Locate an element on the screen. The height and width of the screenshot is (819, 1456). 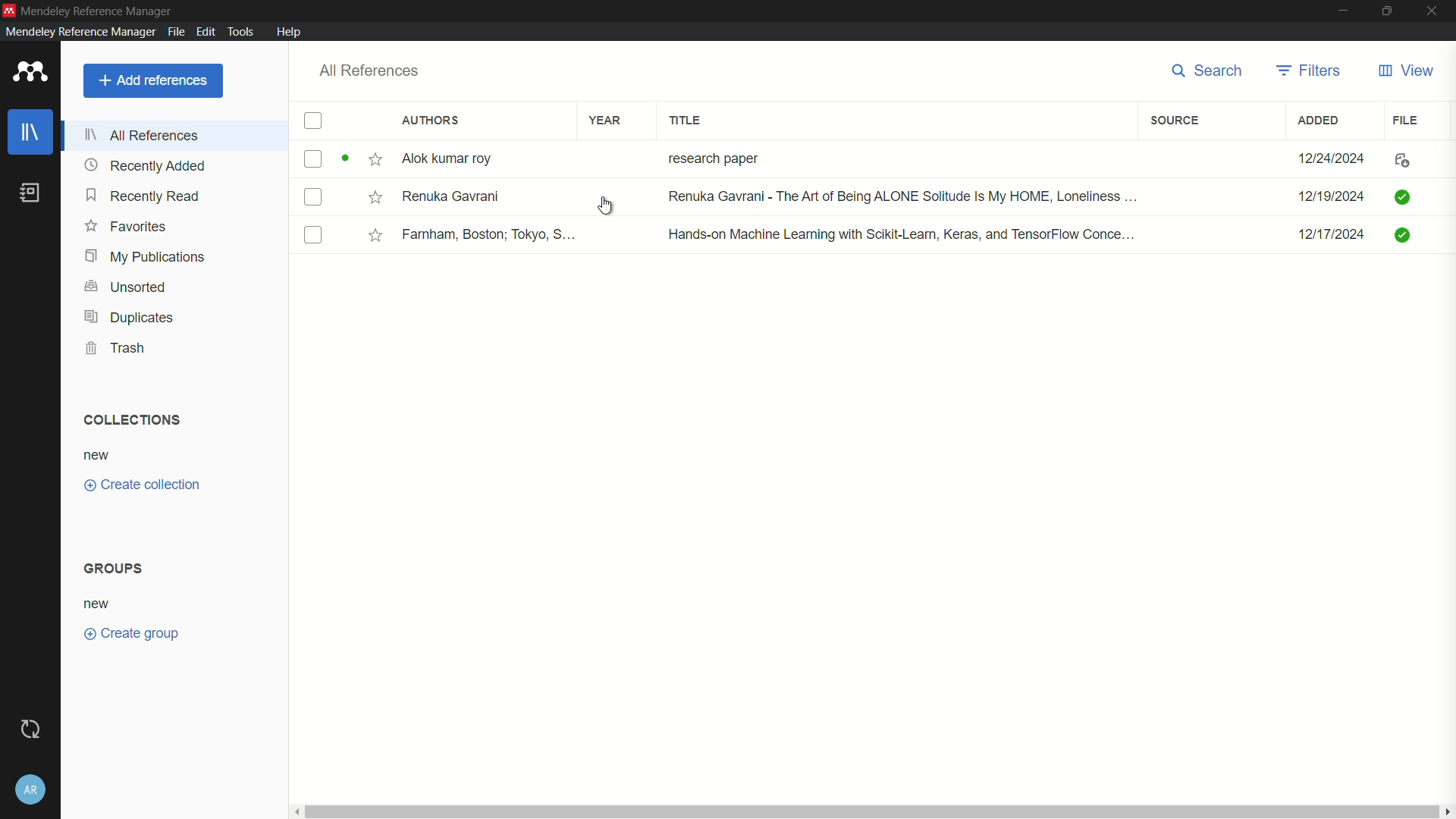
add references is located at coordinates (152, 82).